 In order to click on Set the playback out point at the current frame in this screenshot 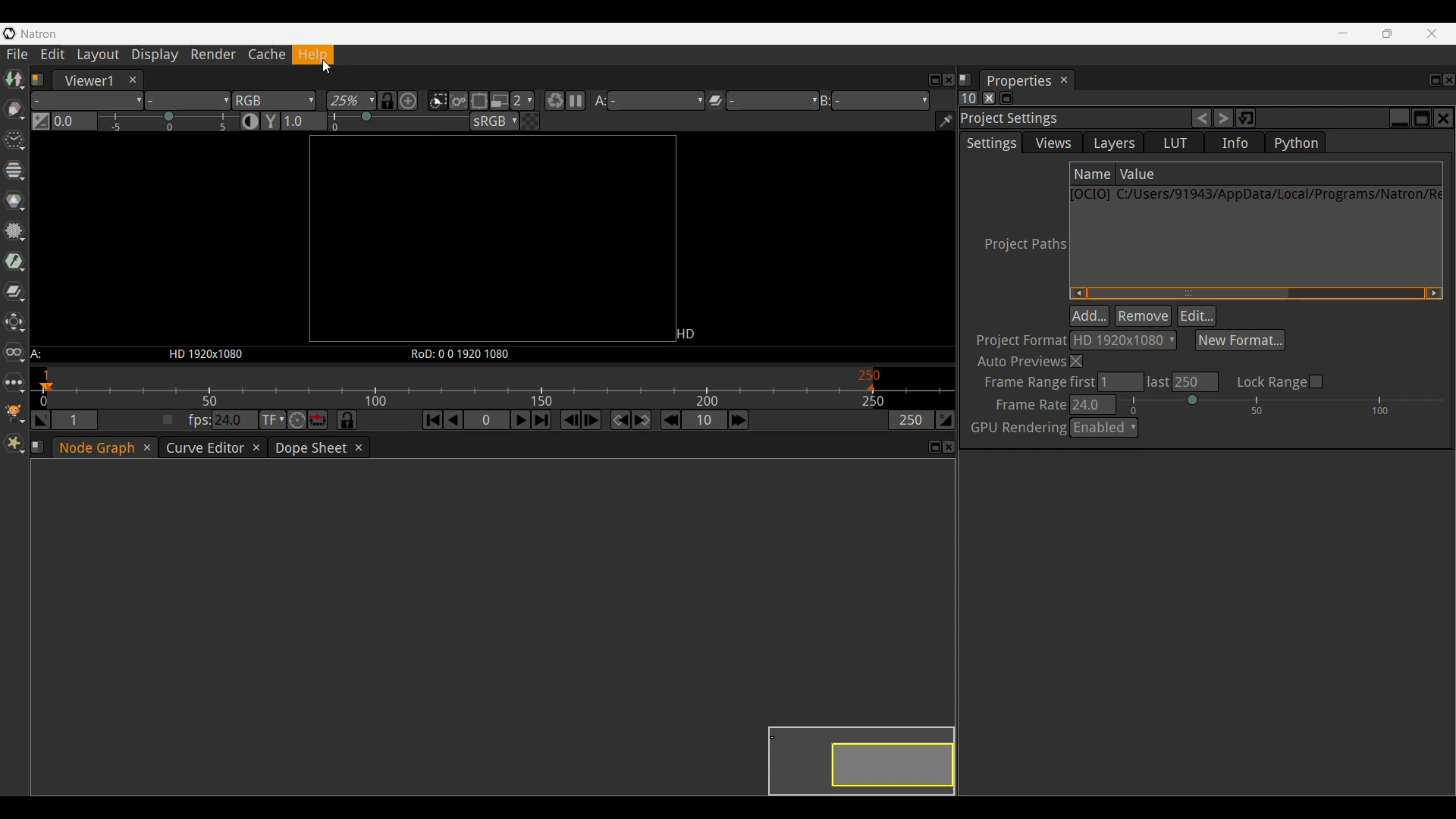, I will do `click(945, 419)`.